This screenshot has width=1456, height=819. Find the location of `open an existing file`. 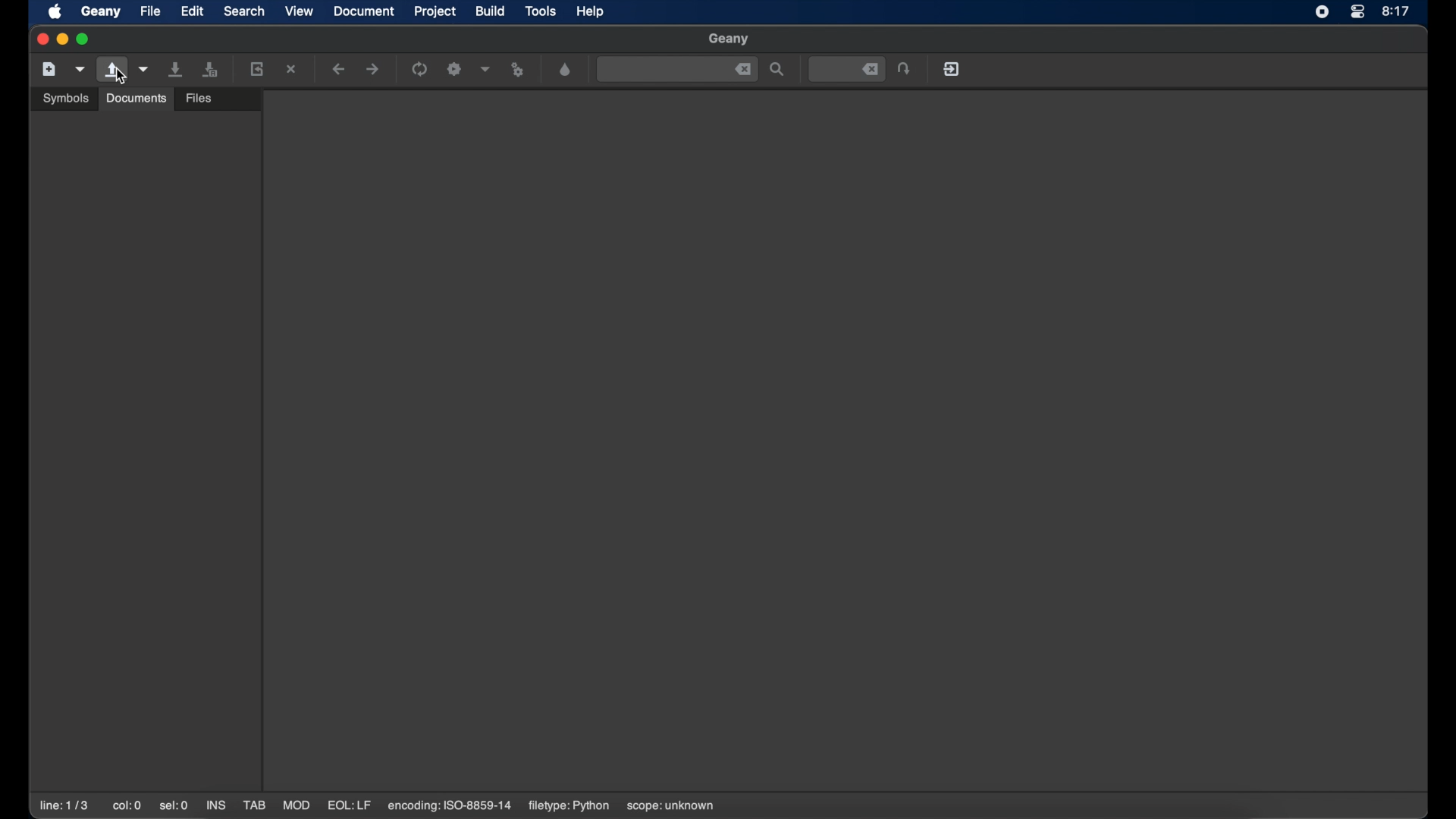

open an existing file is located at coordinates (112, 70).